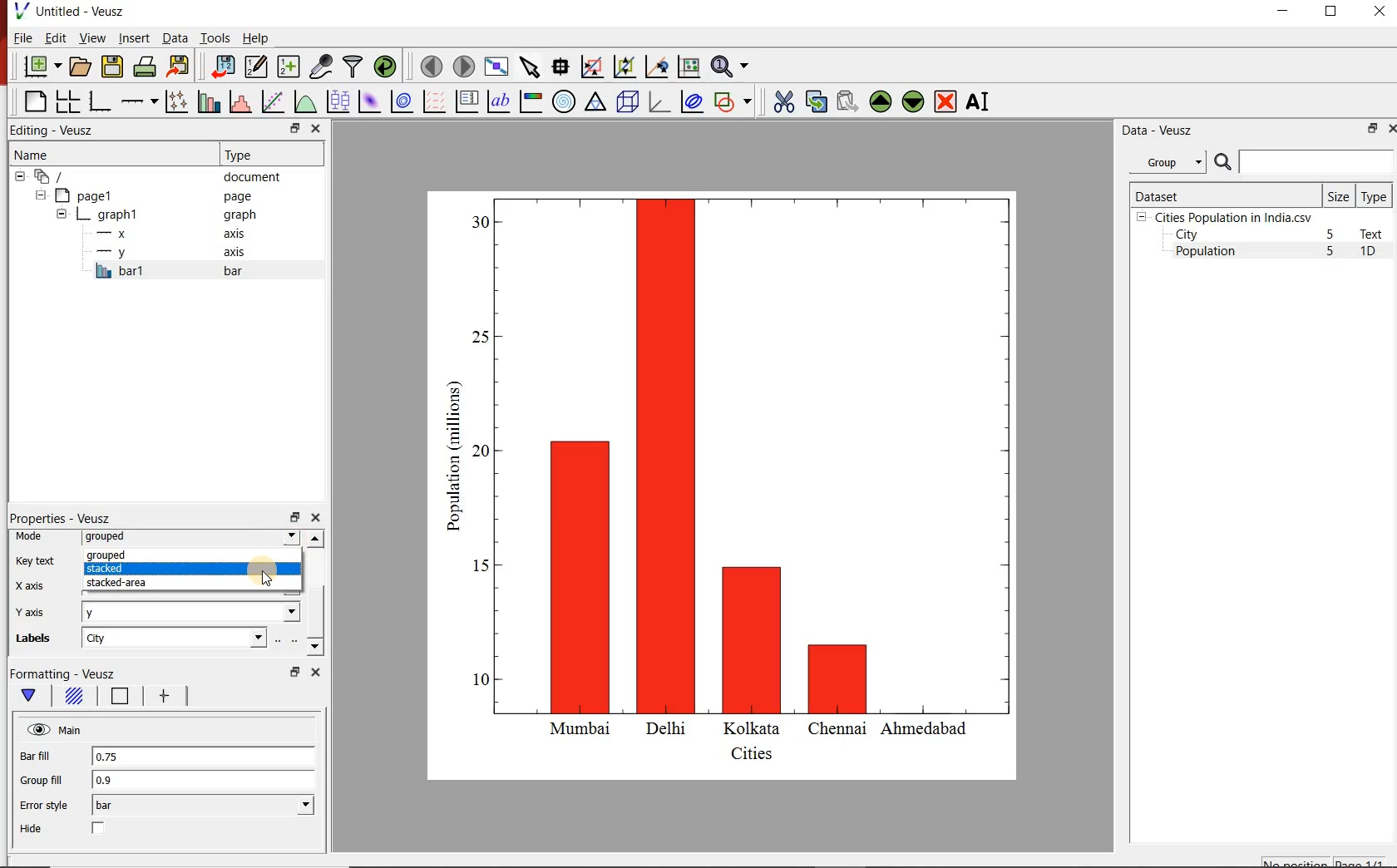  What do you see at coordinates (203, 806) in the screenshot?
I see `bar` at bounding box center [203, 806].